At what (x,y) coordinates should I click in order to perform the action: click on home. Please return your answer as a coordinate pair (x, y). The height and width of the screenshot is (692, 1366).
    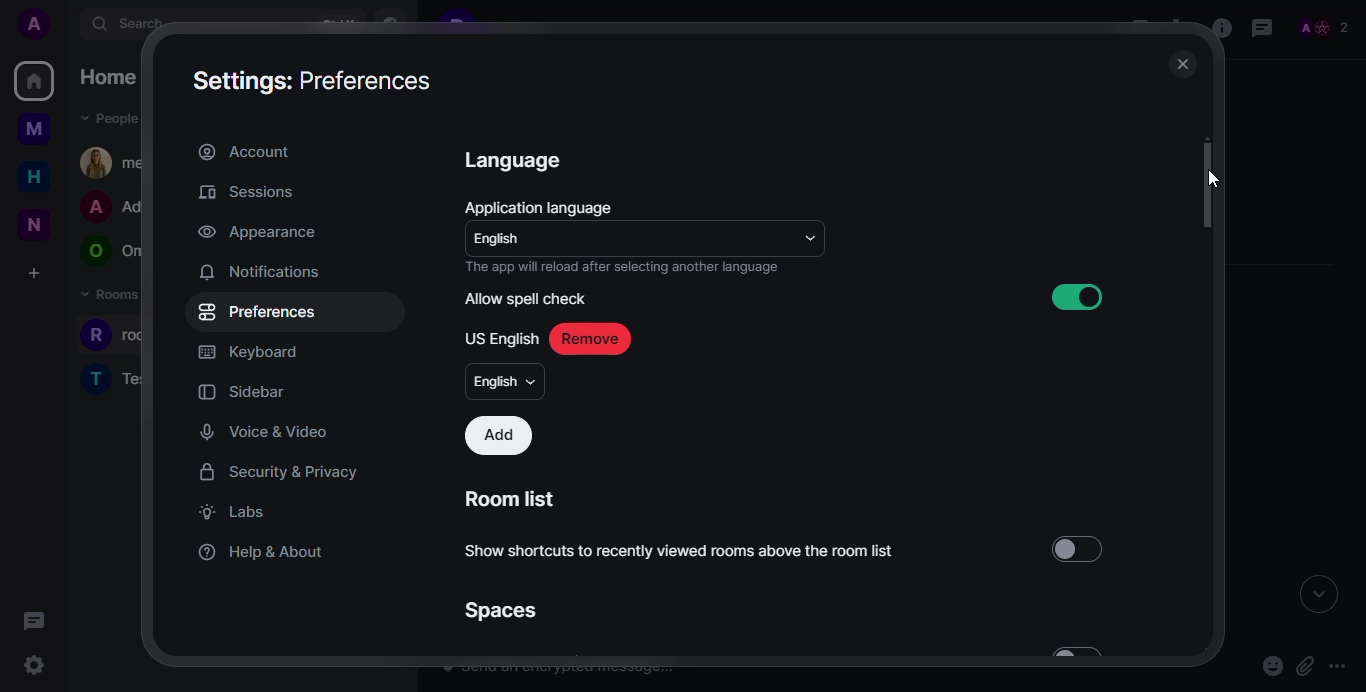
    Looking at the image, I should click on (113, 77).